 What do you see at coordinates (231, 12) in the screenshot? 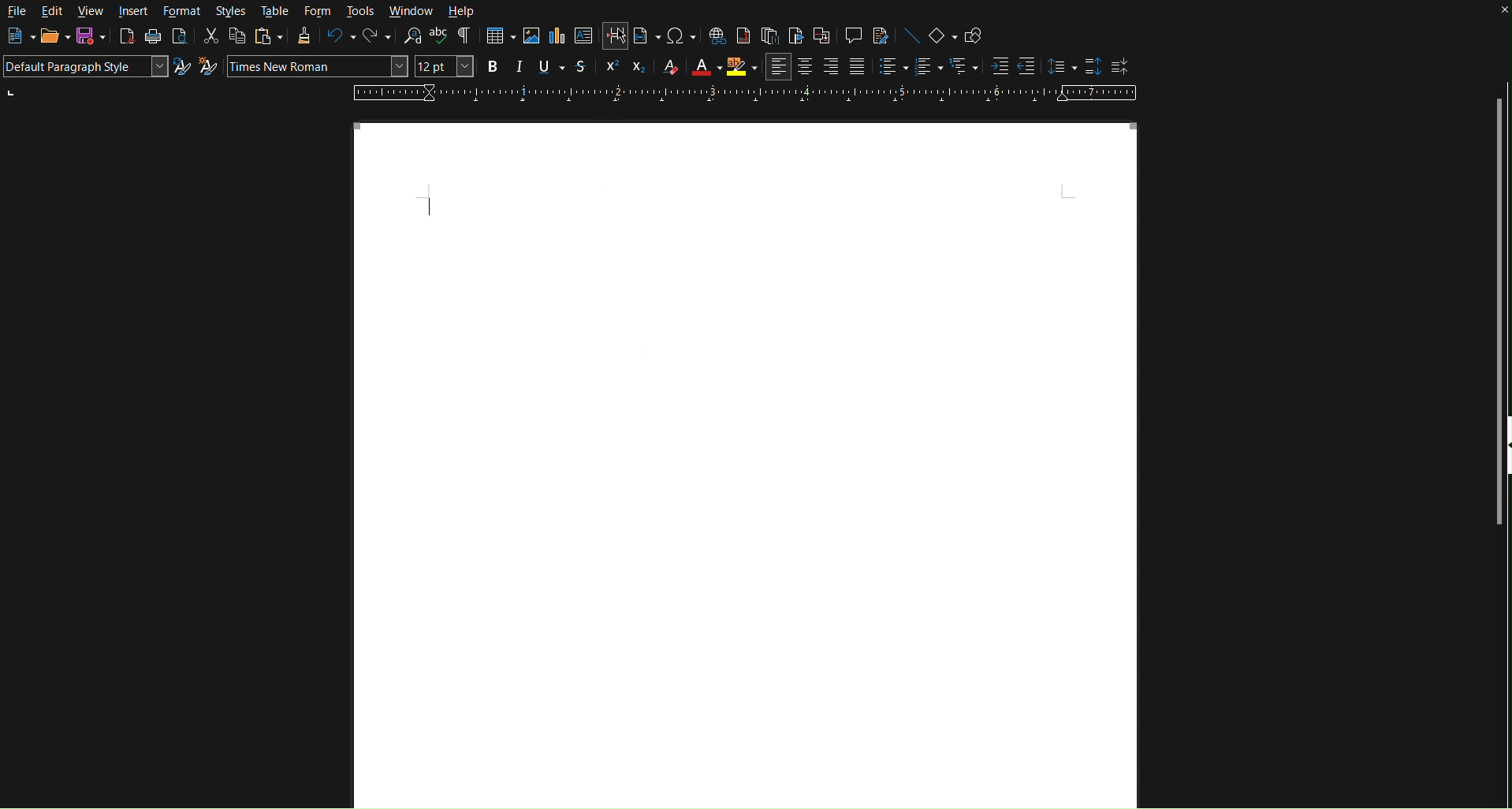
I see `Styles` at bounding box center [231, 12].